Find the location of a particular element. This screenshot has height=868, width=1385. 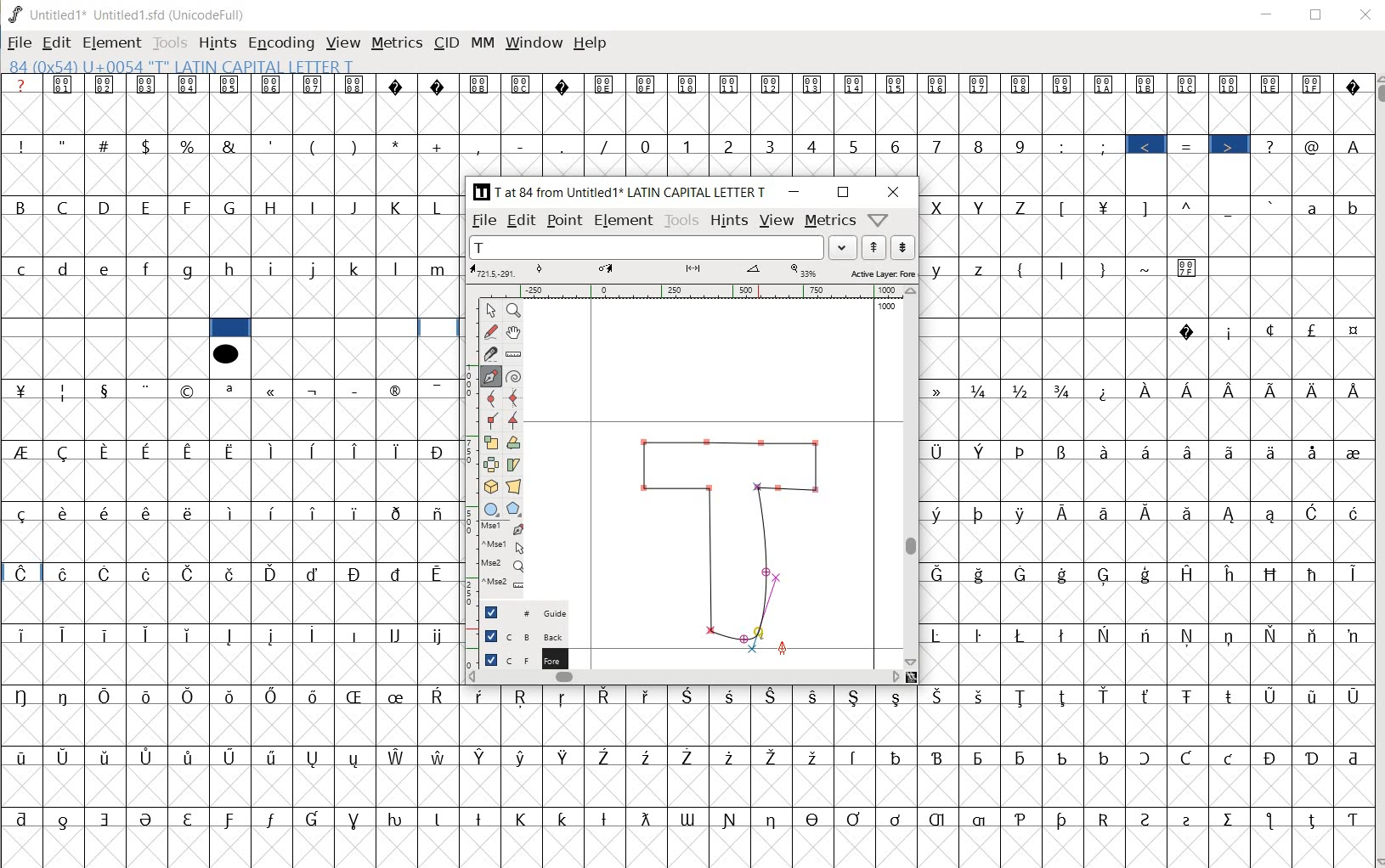

Symbol is located at coordinates (231, 451).